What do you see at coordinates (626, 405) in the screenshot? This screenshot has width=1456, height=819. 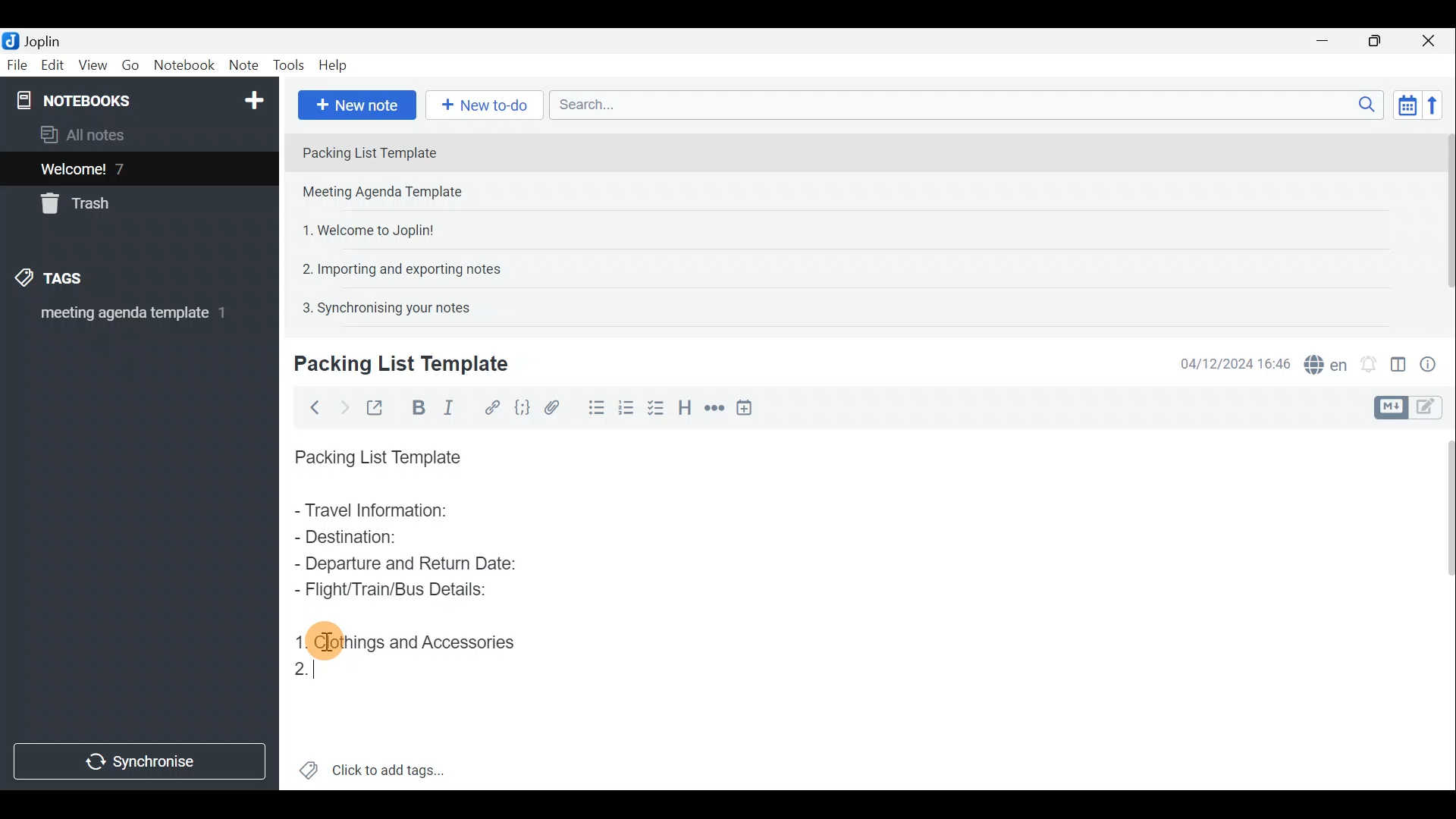 I see `Checkbox` at bounding box center [626, 405].